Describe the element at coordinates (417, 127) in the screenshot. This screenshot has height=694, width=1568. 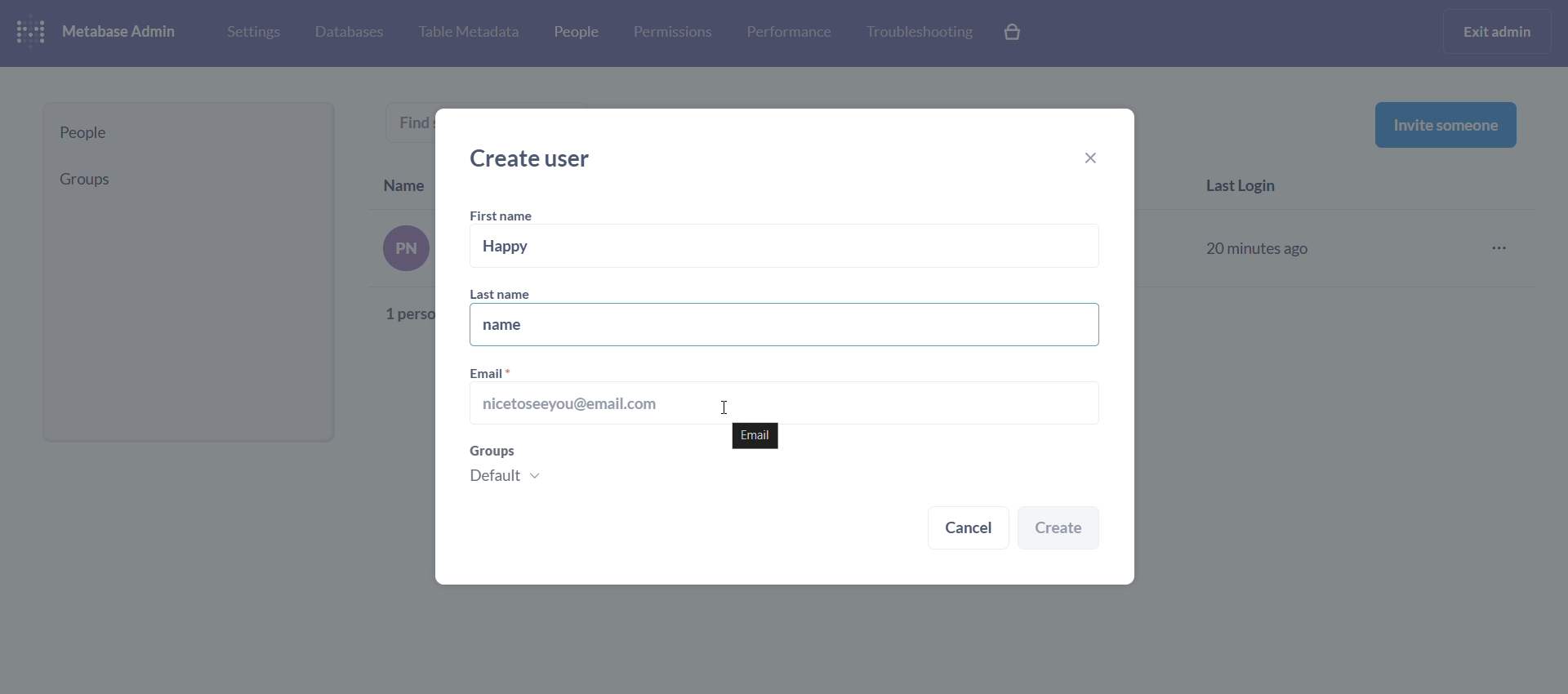
I see `text` at that location.